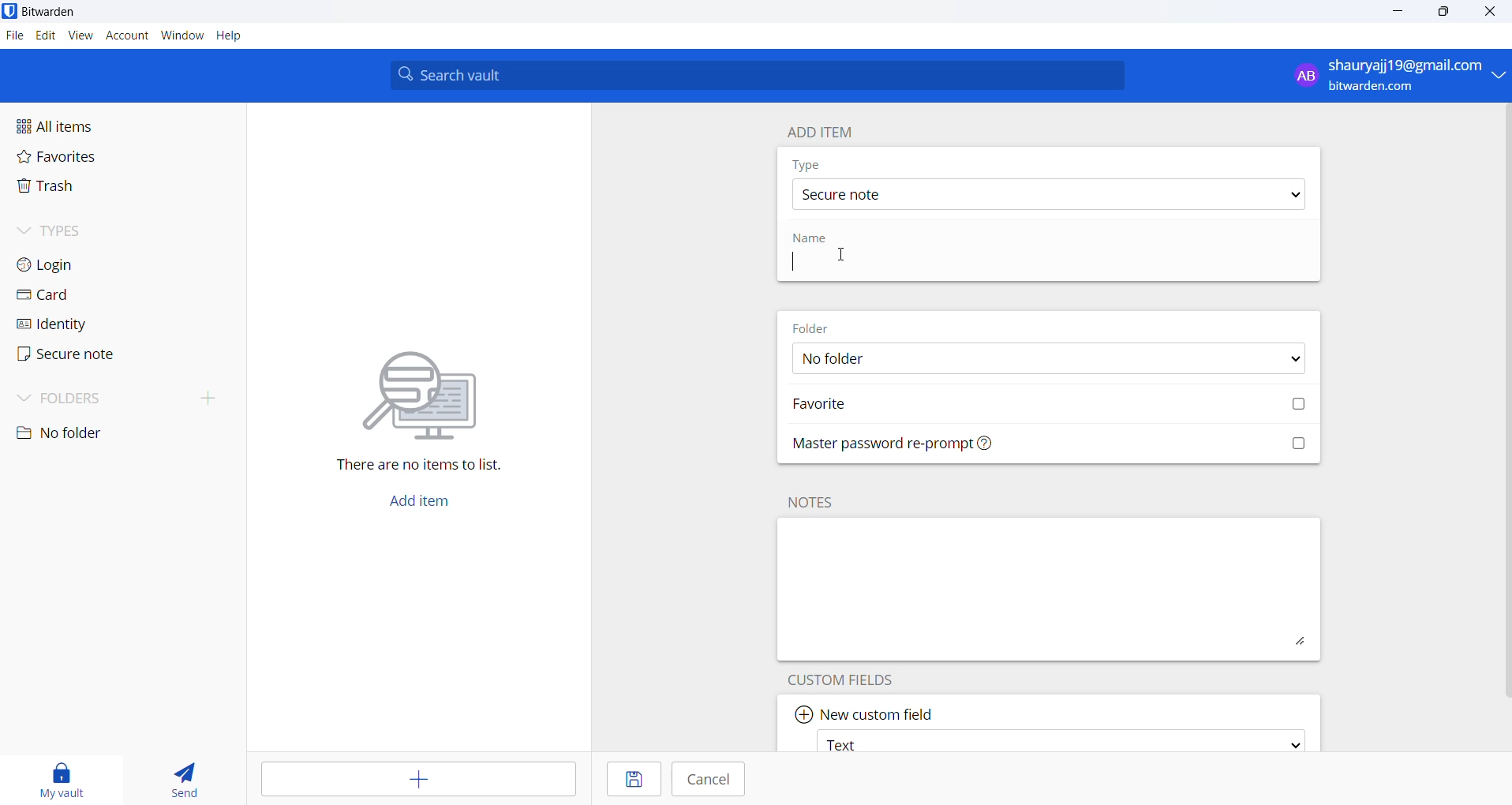 The height and width of the screenshot is (805, 1512). Describe the element at coordinates (1046, 360) in the screenshot. I see `folder options` at that location.